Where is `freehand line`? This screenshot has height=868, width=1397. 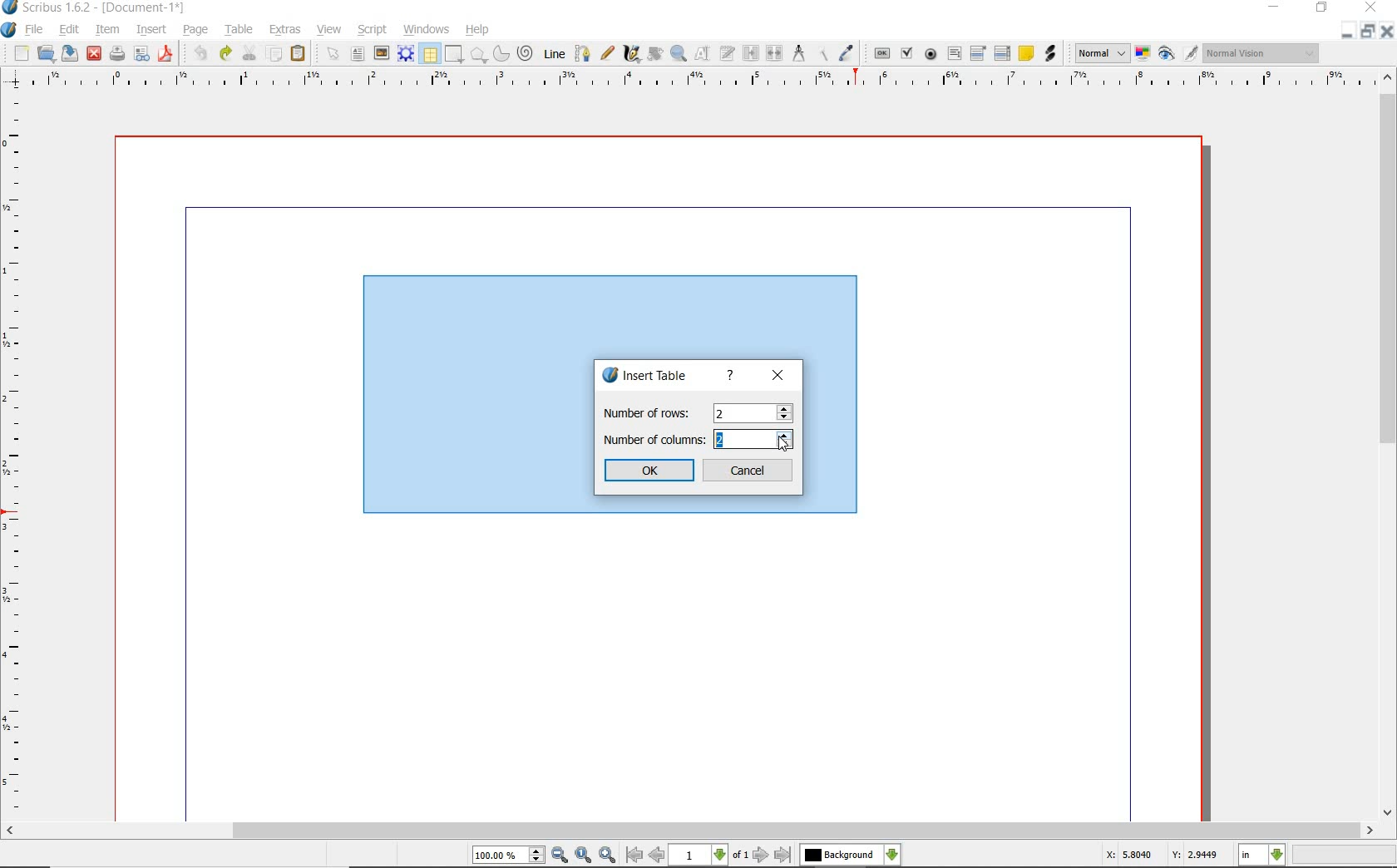
freehand line is located at coordinates (609, 54).